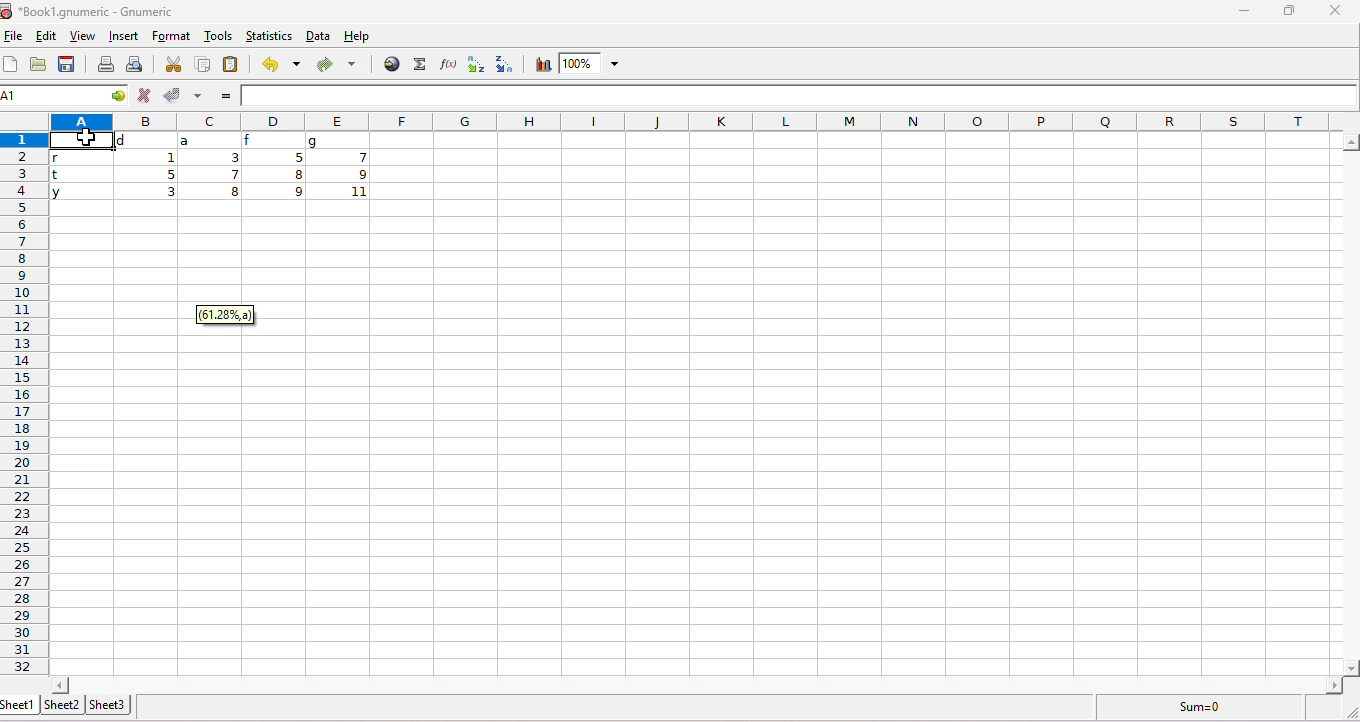 The height and width of the screenshot is (722, 1360). What do you see at coordinates (173, 35) in the screenshot?
I see `format` at bounding box center [173, 35].